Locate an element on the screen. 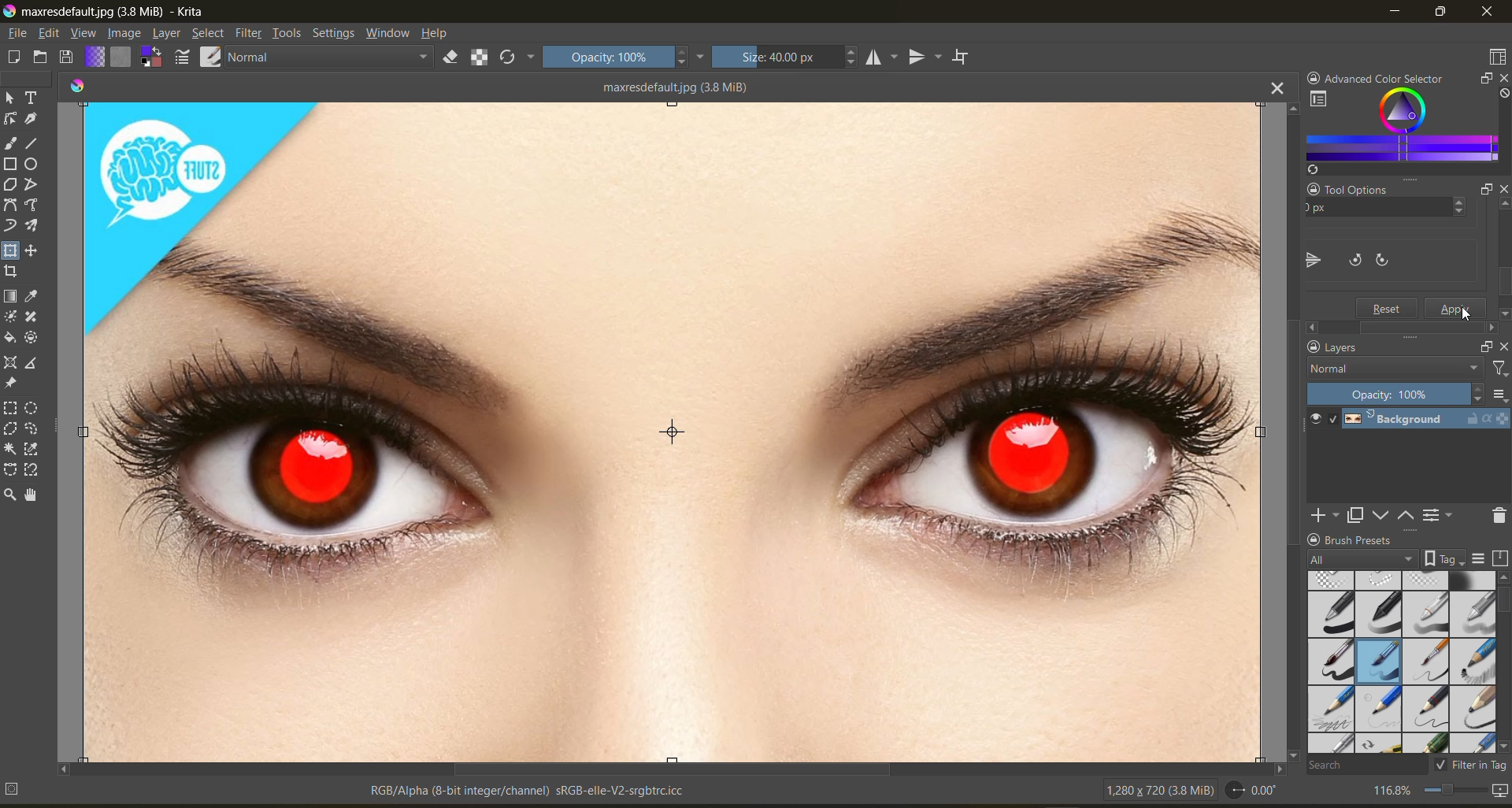 The height and width of the screenshot is (808, 1512). options is located at coordinates (1499, 395).